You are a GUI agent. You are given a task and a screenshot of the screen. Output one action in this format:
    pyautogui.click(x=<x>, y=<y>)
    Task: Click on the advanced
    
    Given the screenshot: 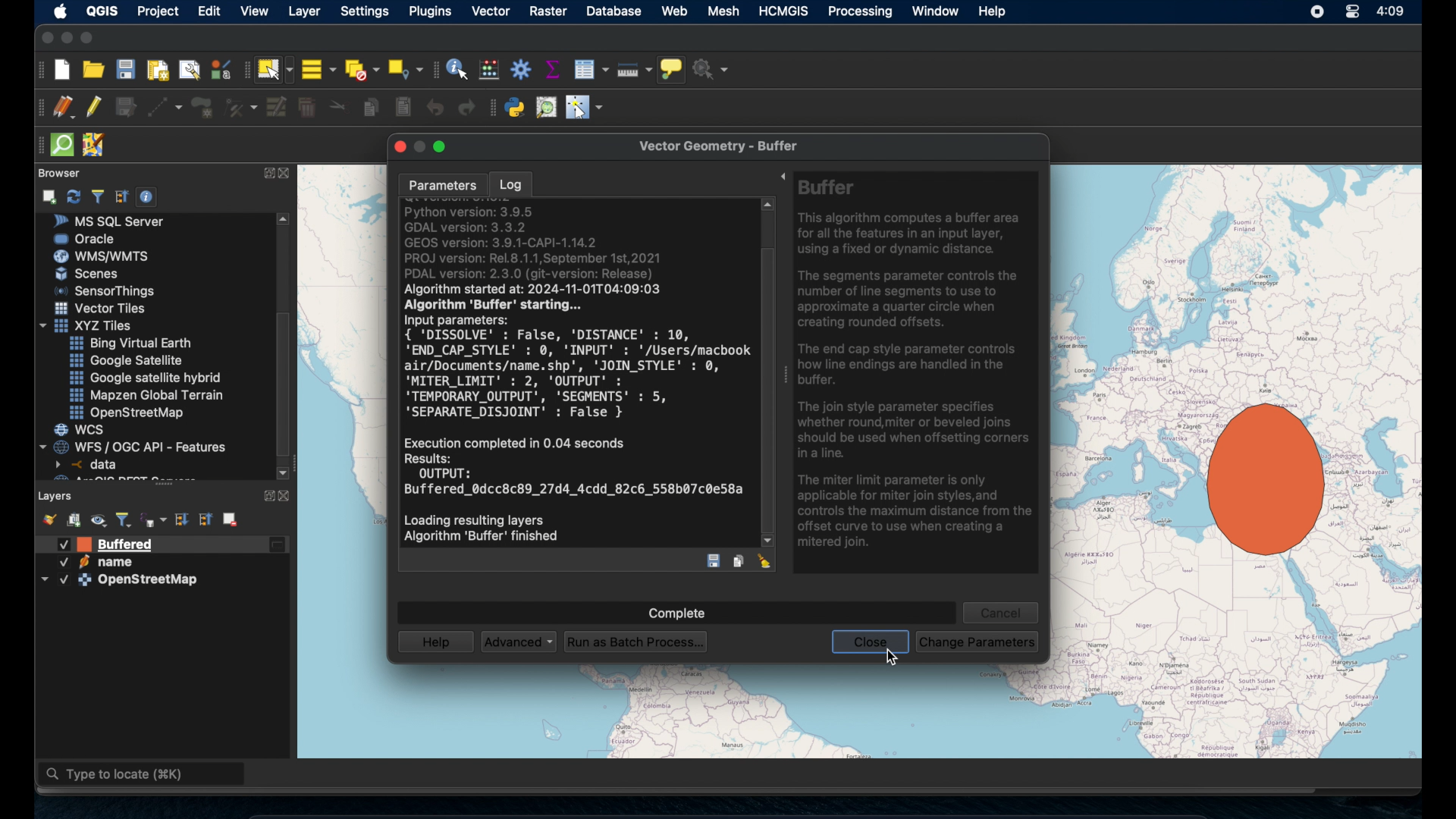 What is the action you would take?
    pyautogui.click(x=520, y=641)
    